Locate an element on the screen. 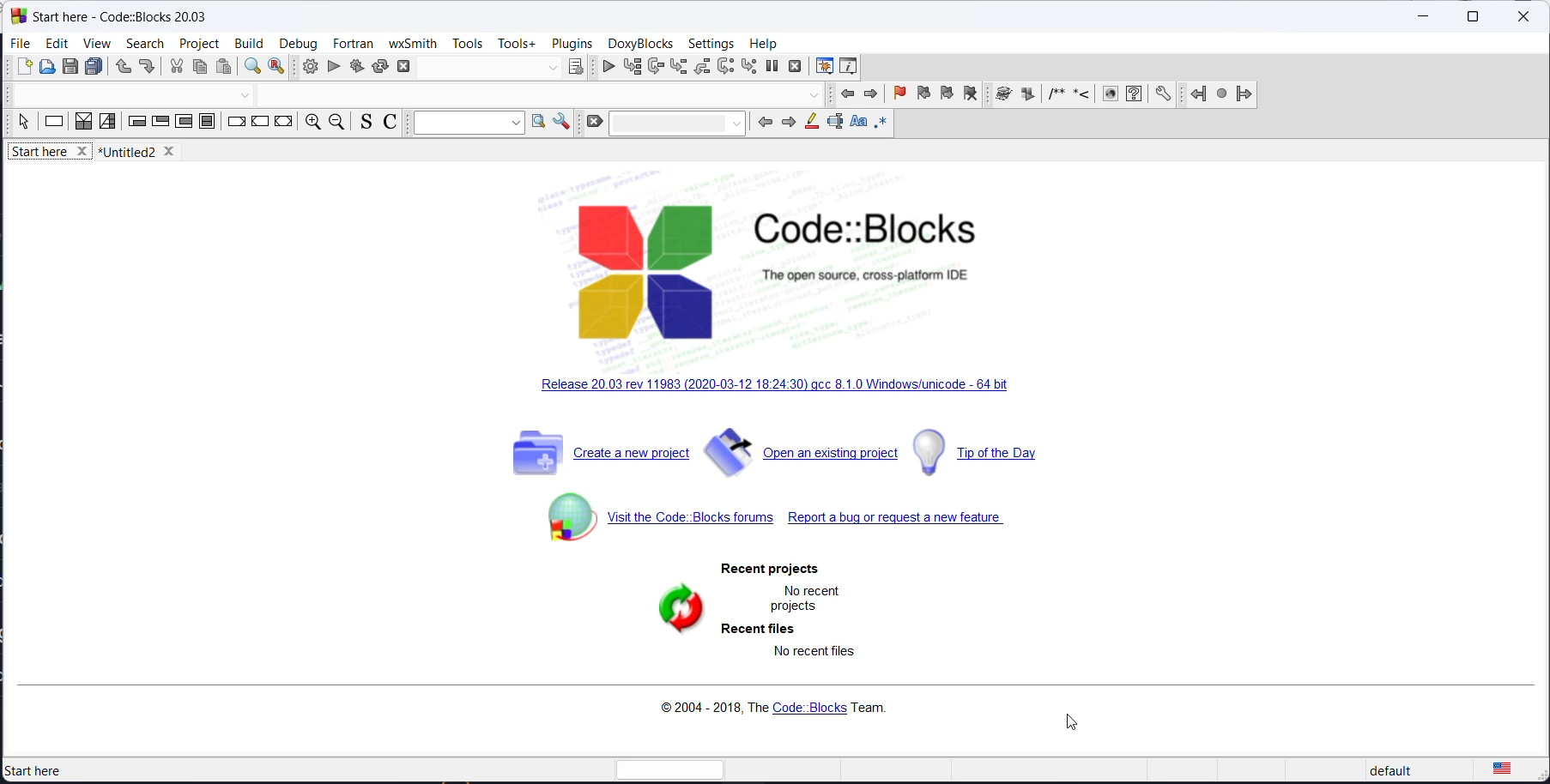 The image size is (1550, 784). start here window is located at coordinates (117, 15).